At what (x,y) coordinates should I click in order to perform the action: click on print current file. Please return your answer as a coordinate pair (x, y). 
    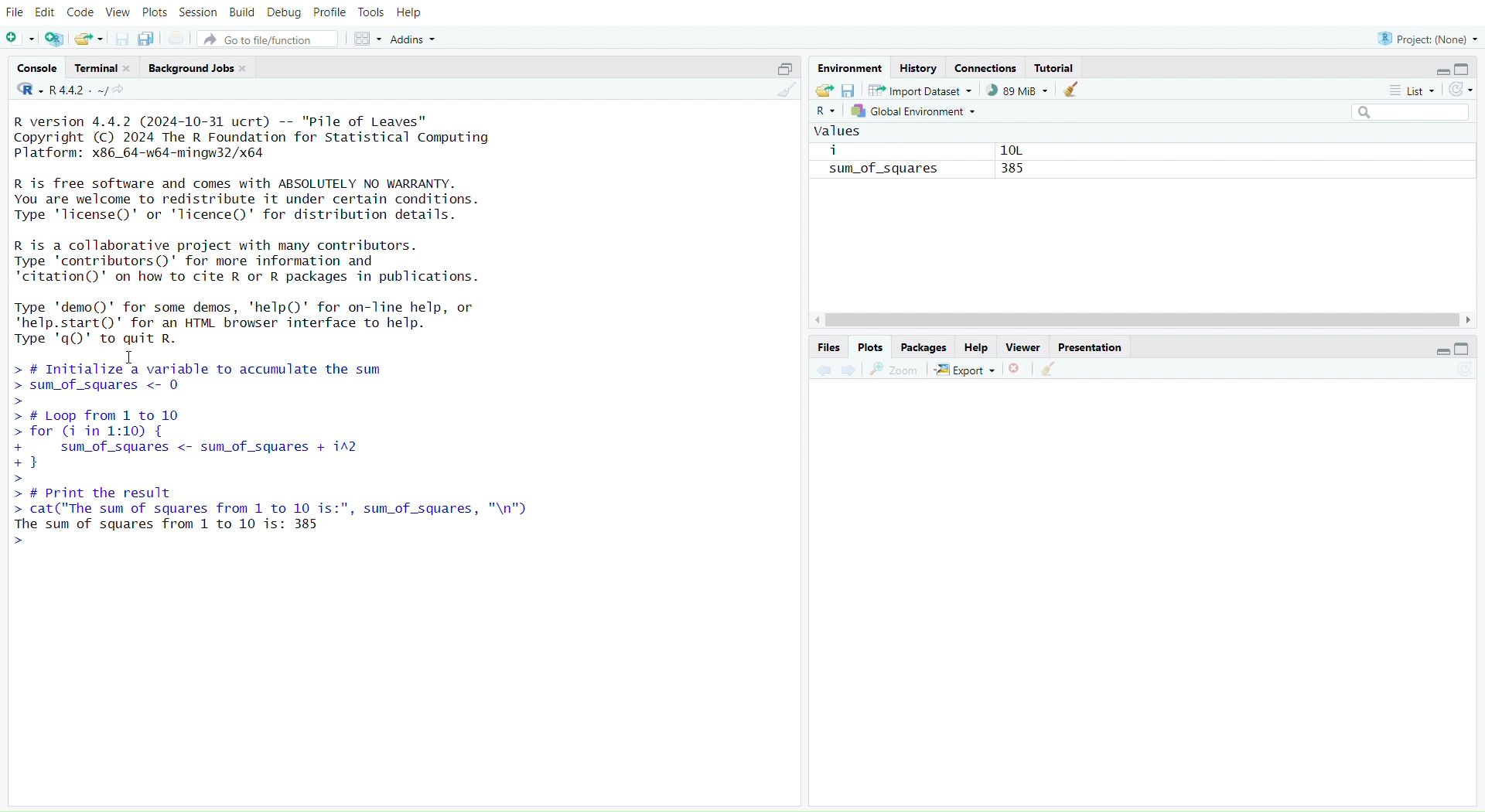
    Looking at the image, I should click on (180, 39).